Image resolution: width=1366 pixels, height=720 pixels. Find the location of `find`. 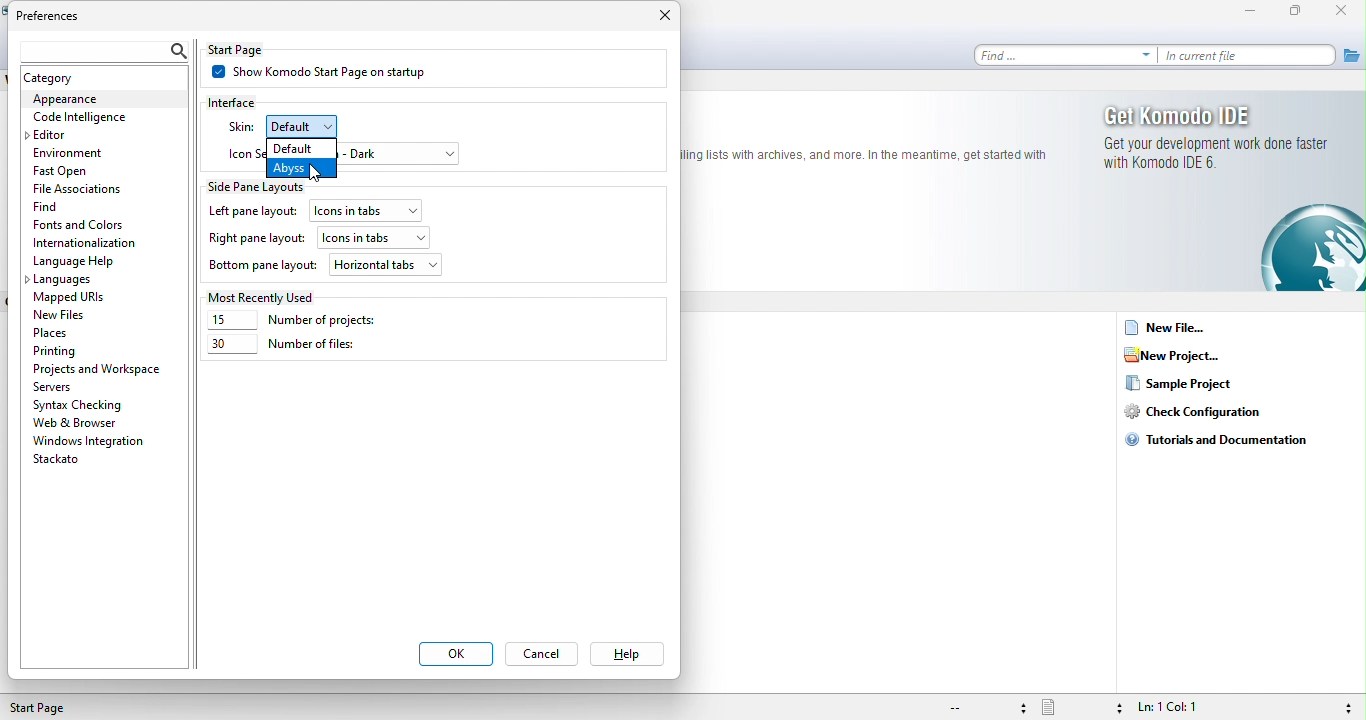

find is located at coordinates (1066, 55).